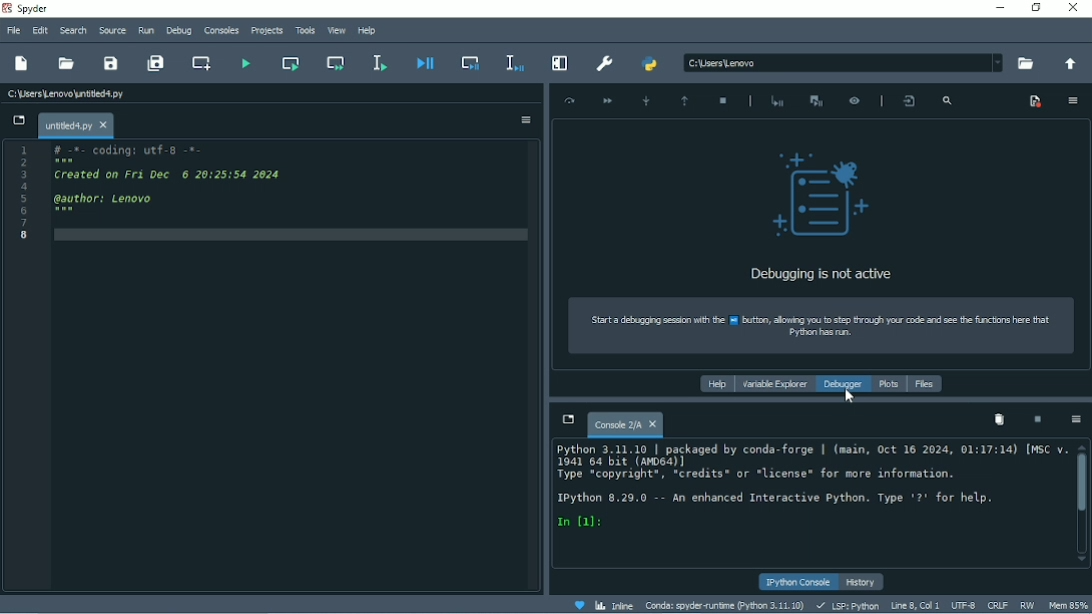  I want to click on Debugger, so click(844, 385).